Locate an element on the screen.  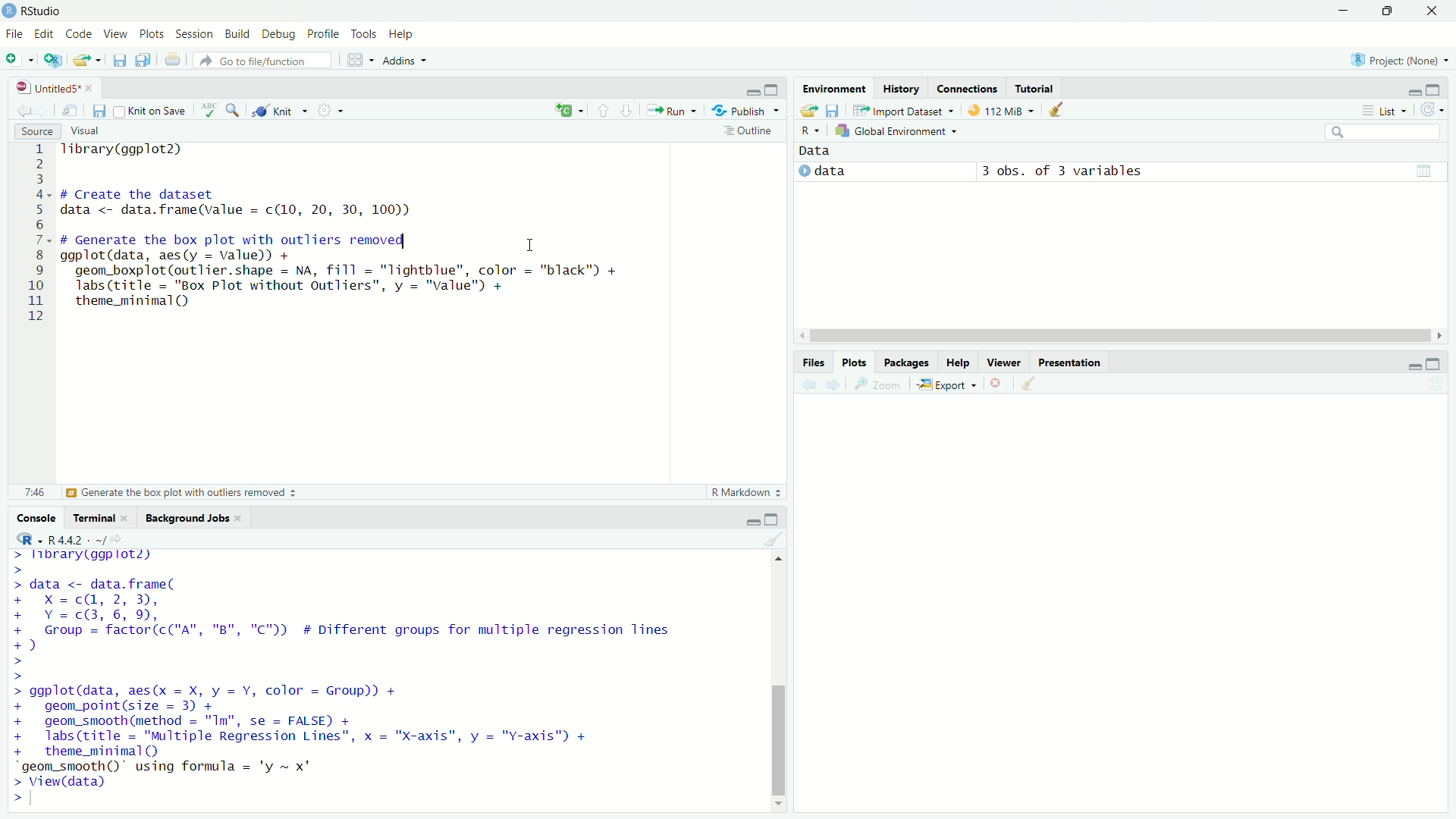
minimise is located at coordinates (745, 92).